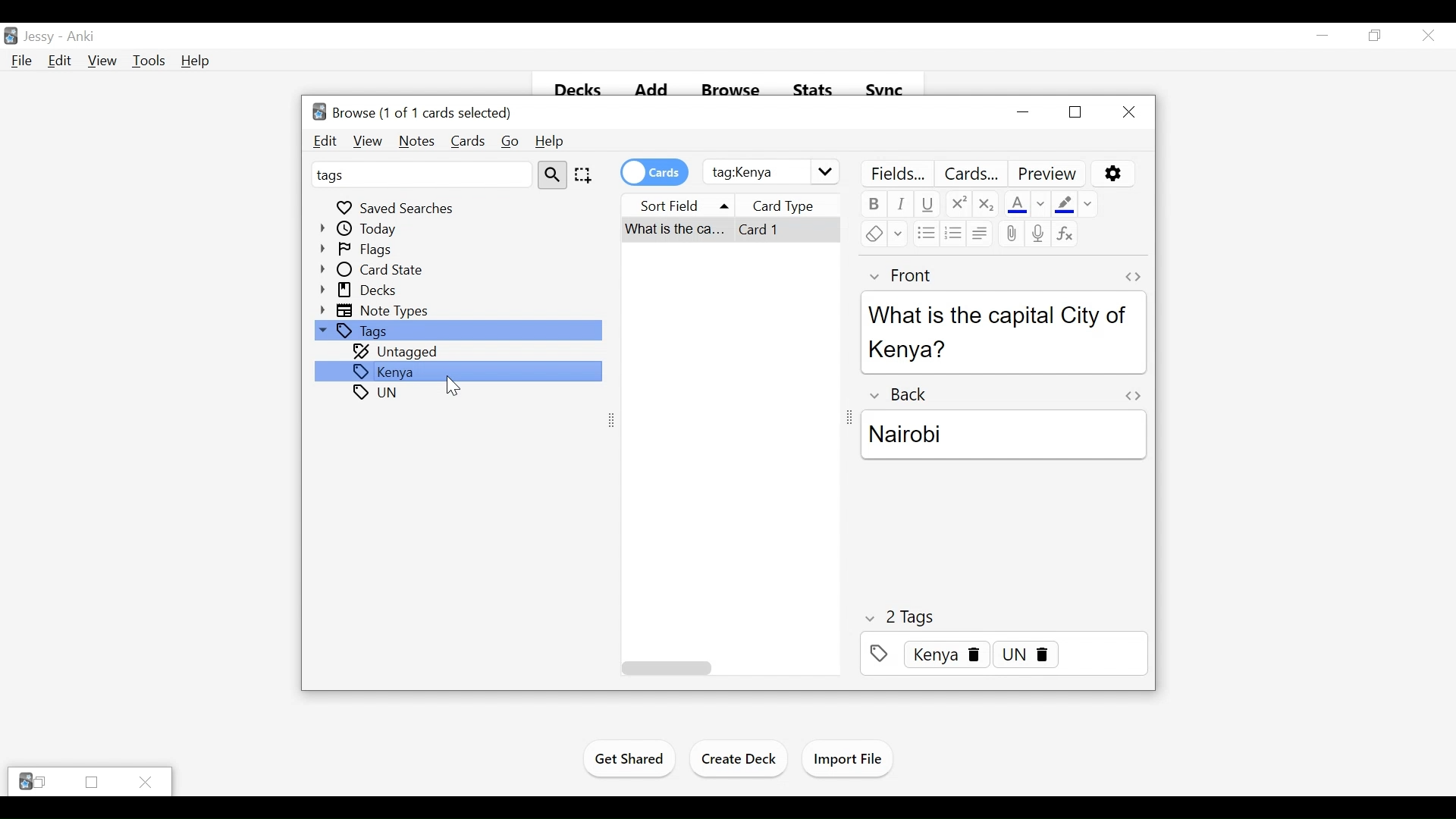  Describe the element at coordinates (509, 142) in the screenshot. I see `Go` at that location.